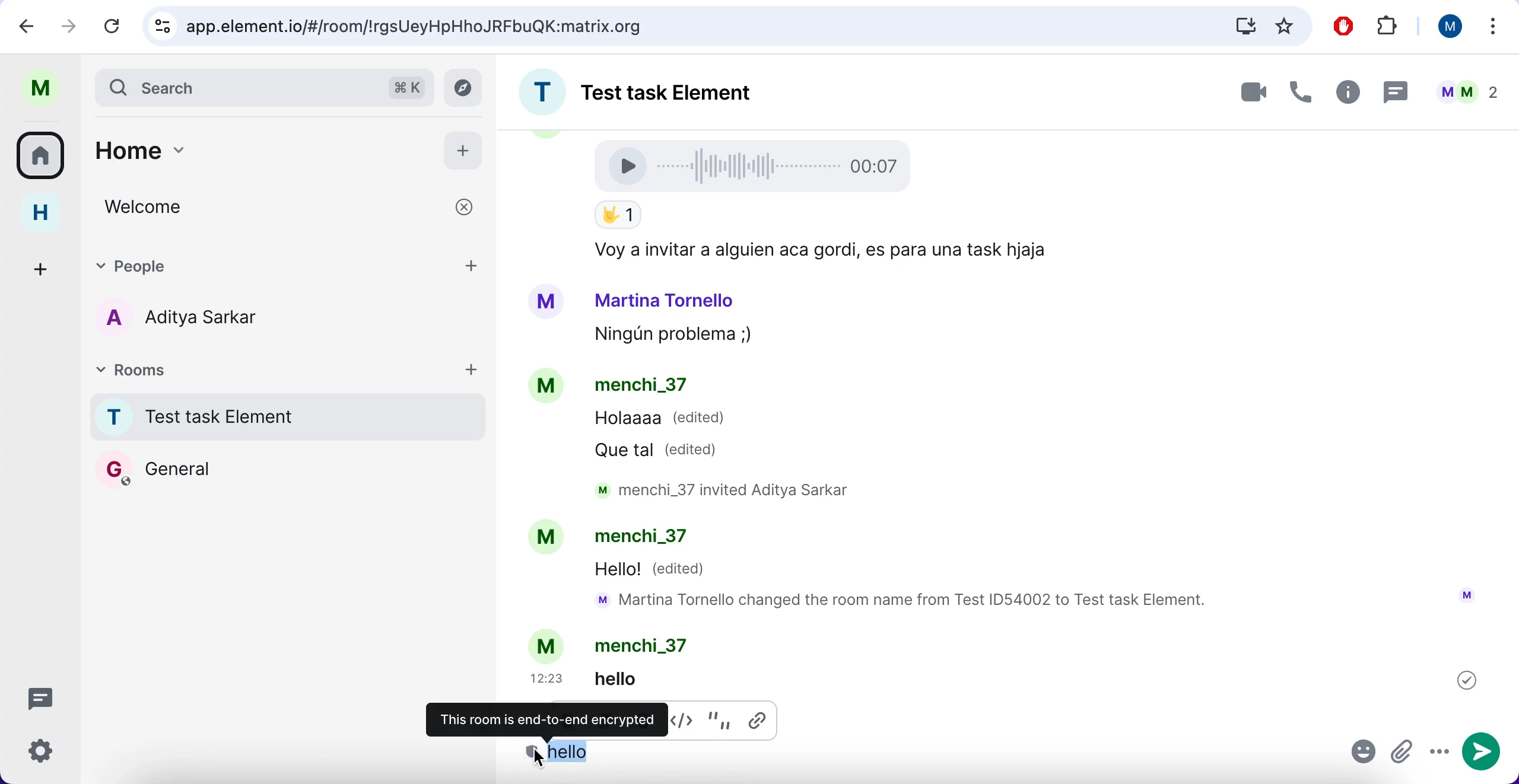  What do you see at coordinates (641, 387) in the screenshot?
I see `menchi_37` at bounding box center [641, 387].